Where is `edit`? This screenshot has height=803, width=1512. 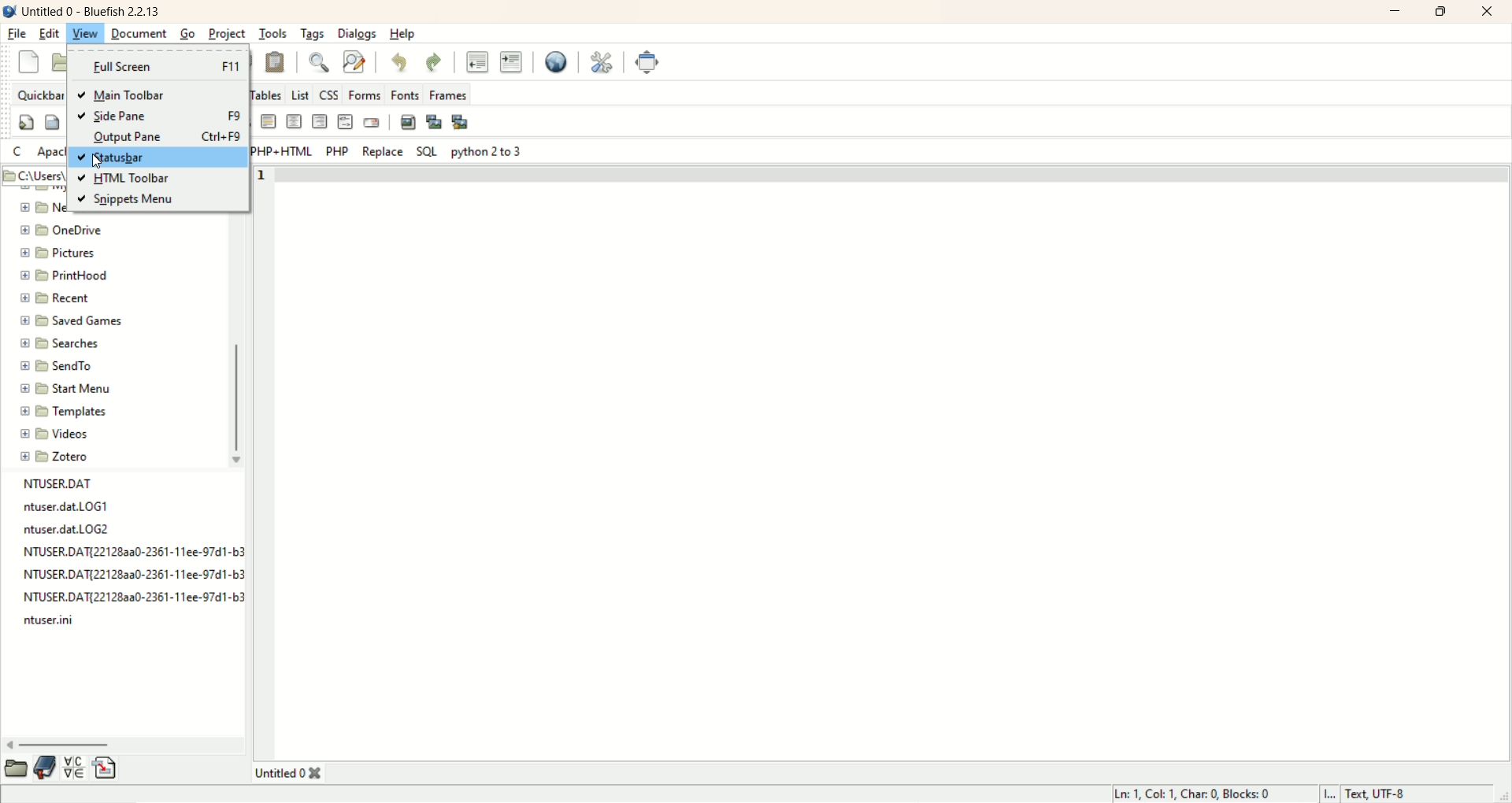 edit is located at coordinates (49, 35).